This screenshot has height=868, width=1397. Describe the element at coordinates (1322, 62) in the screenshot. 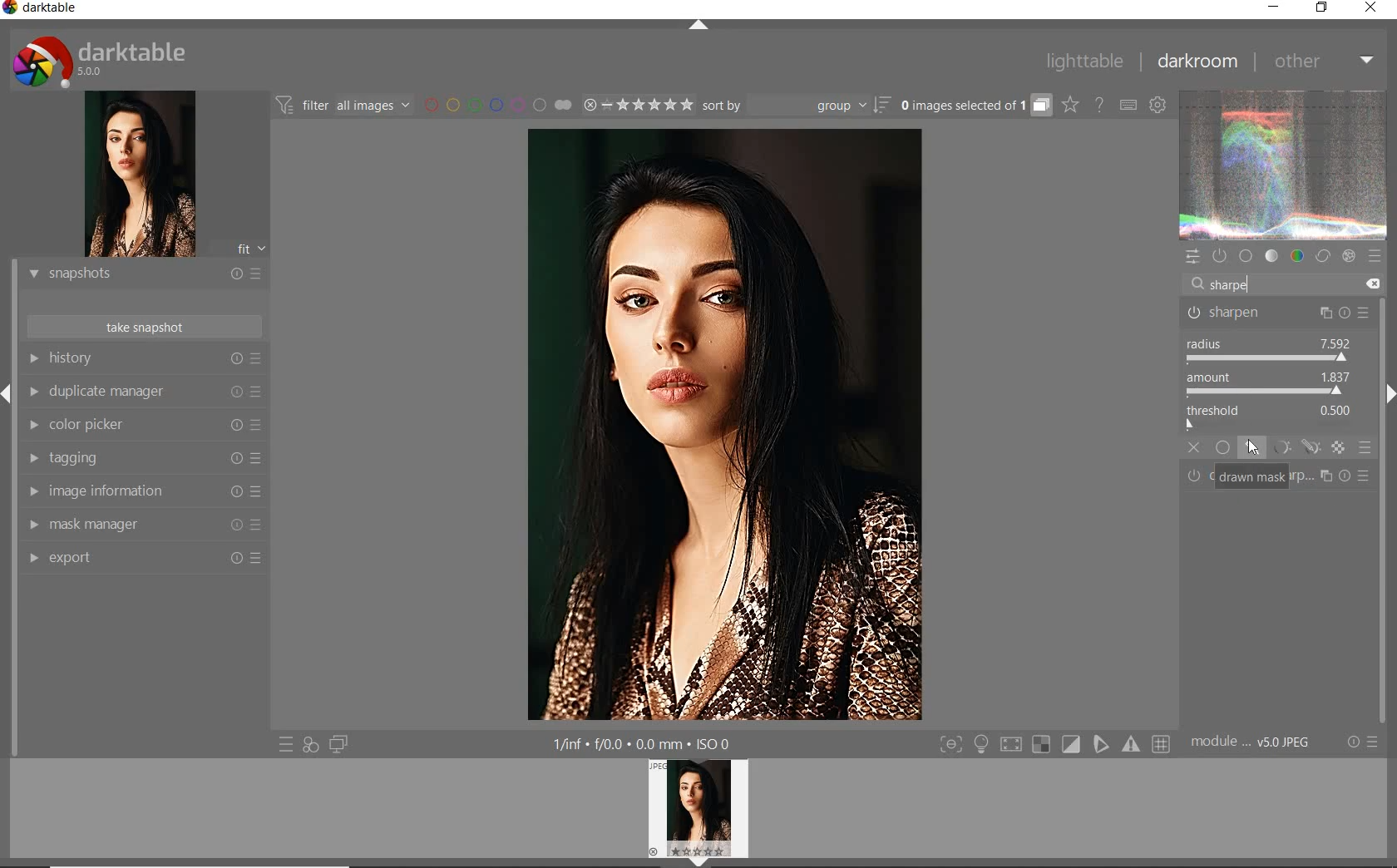

I see `OTHER` at that location.